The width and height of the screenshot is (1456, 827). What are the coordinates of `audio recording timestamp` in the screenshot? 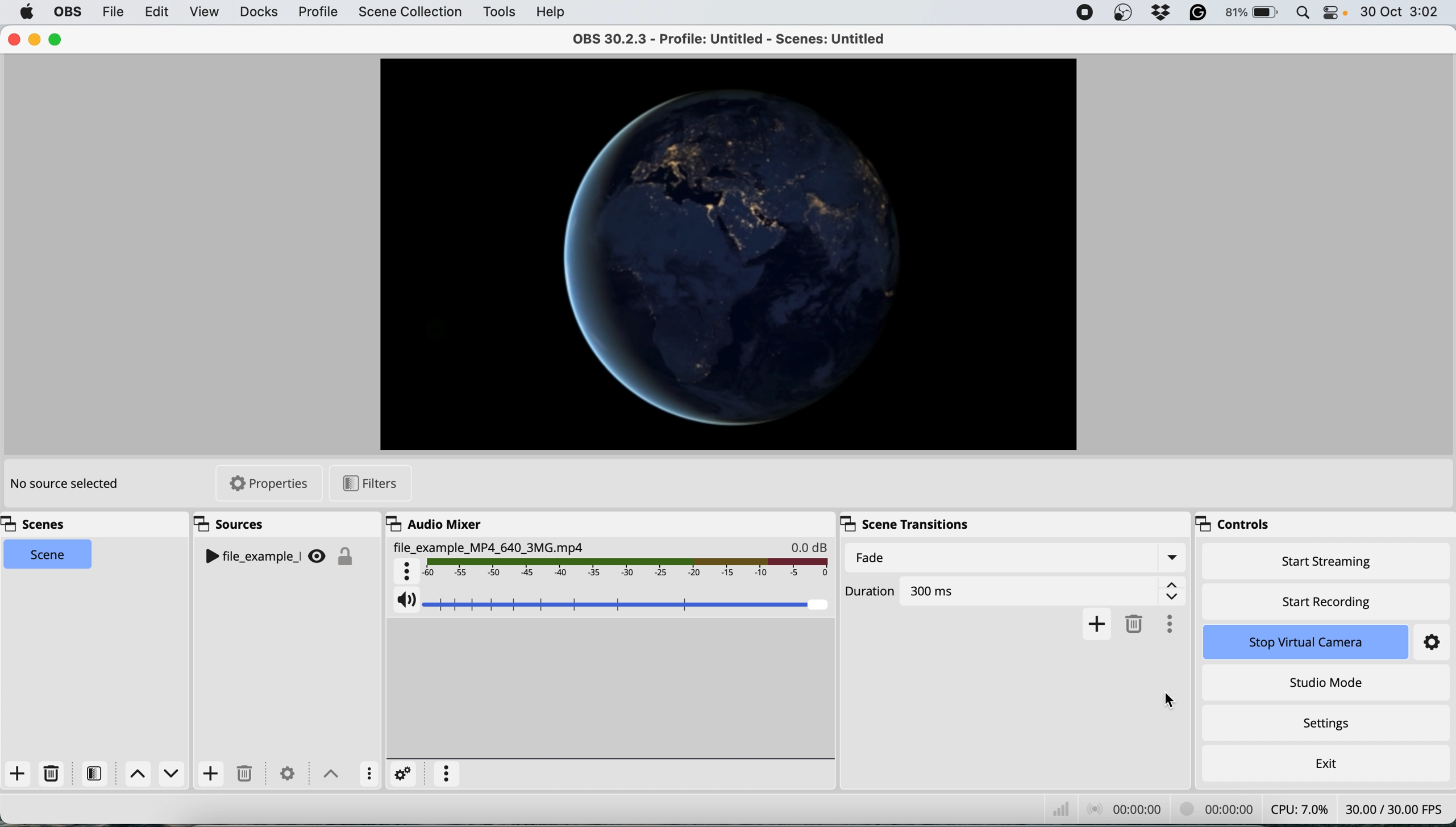 It's located at (1134, 808).